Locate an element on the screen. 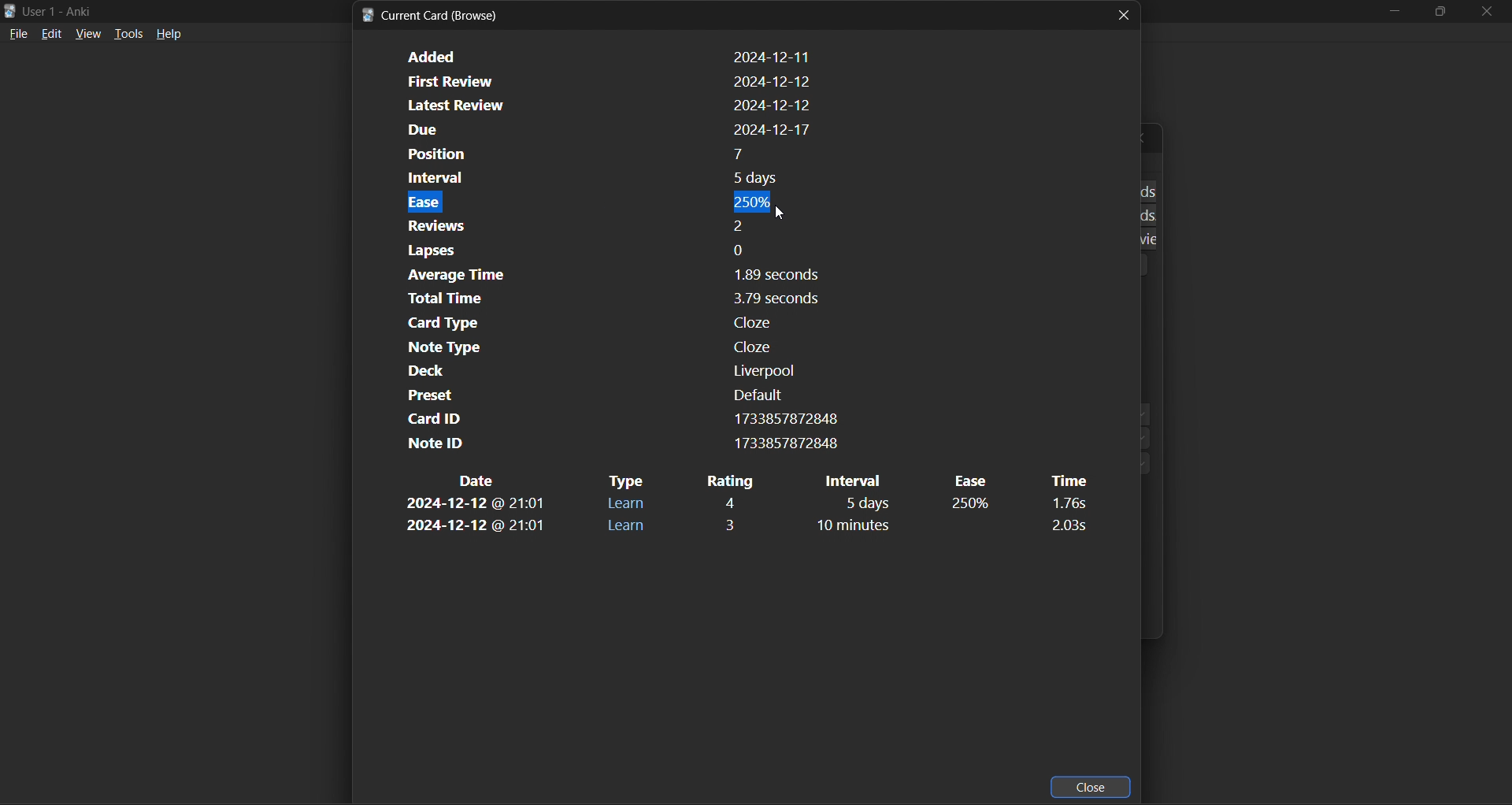 This screenshot has height=805, width=1512. card deck is located at coordinates (595, 371).